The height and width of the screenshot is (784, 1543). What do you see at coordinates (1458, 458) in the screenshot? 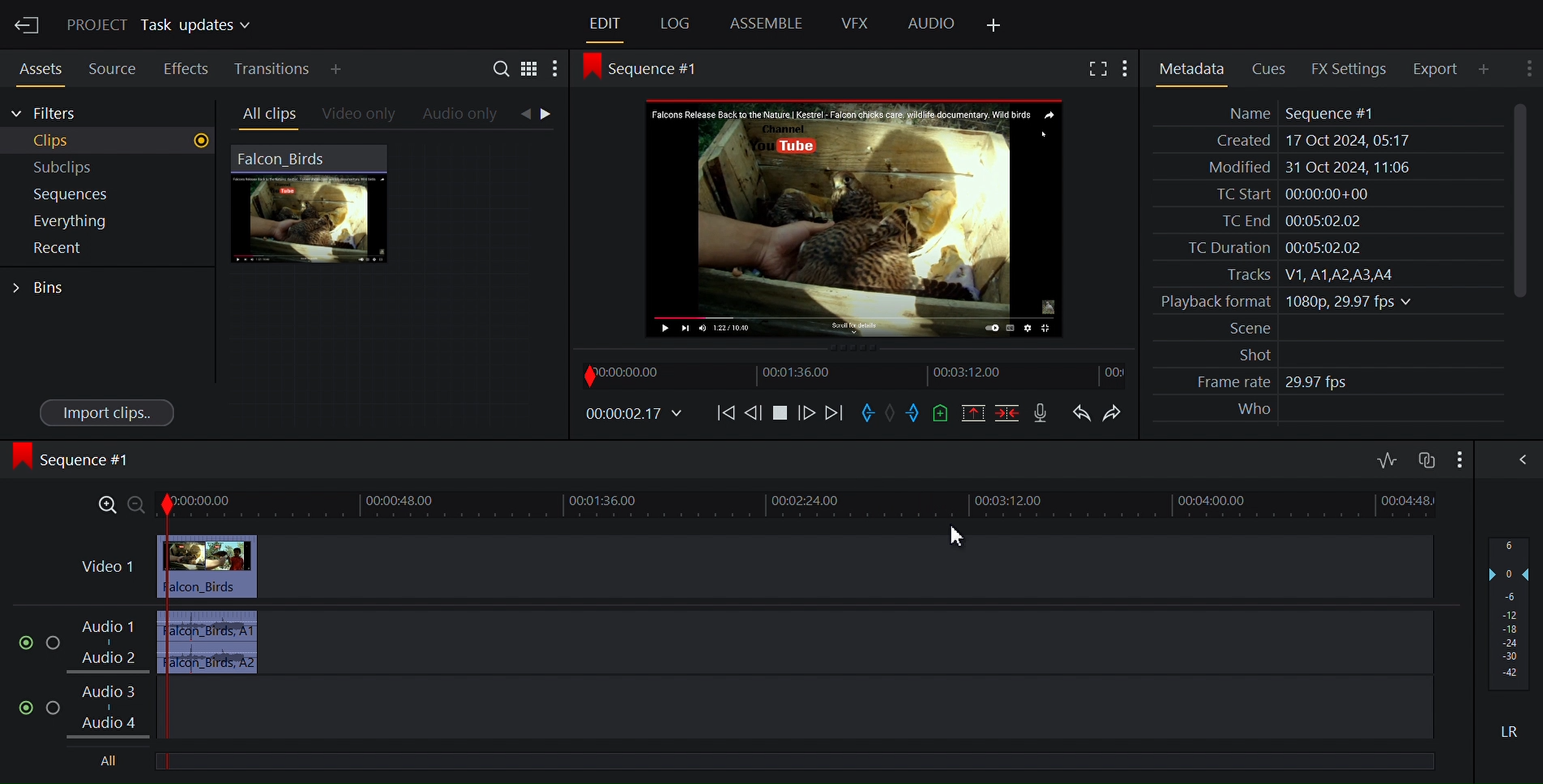
I see `Show settings menu` at bounding box center [1458, 458].